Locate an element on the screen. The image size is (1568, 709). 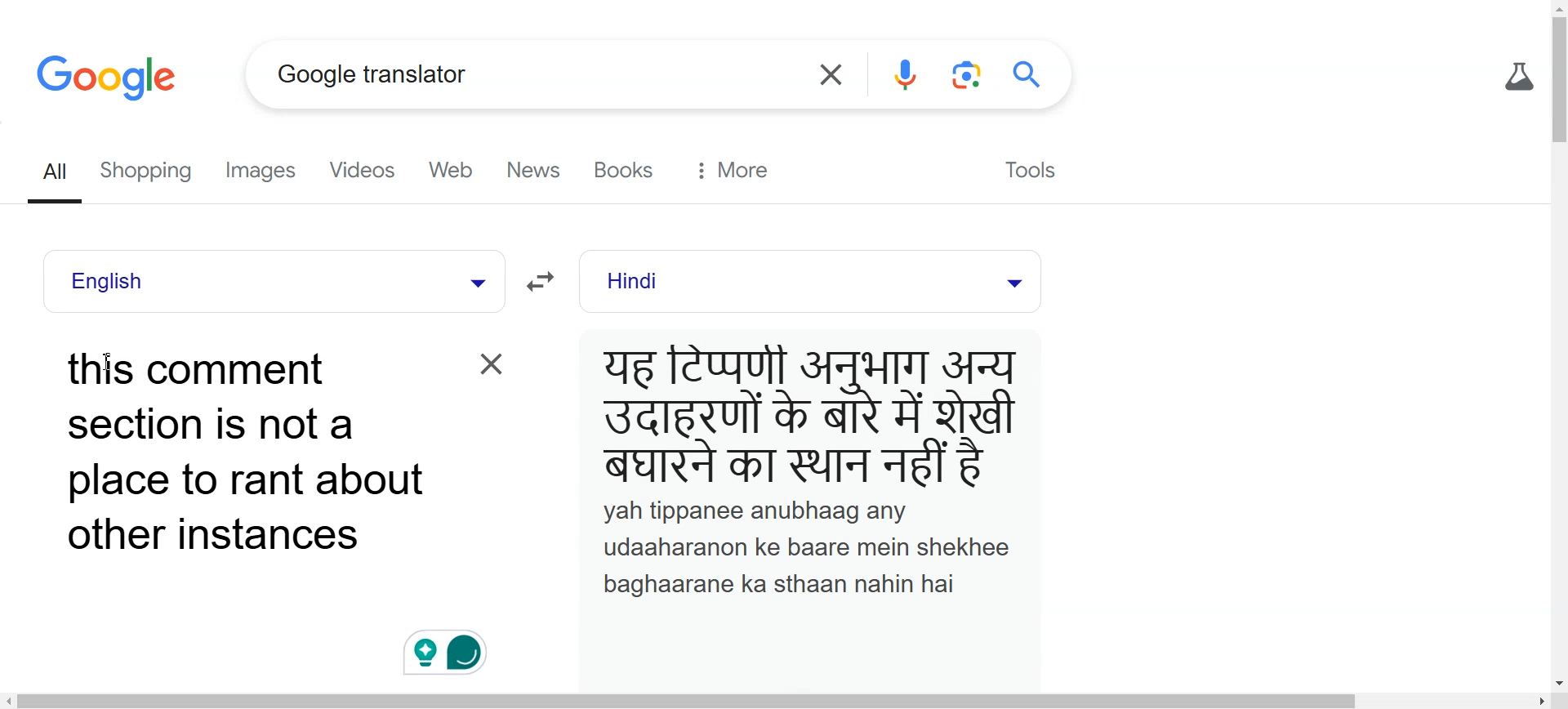
Search by Image is located at coordinates (969, 75).